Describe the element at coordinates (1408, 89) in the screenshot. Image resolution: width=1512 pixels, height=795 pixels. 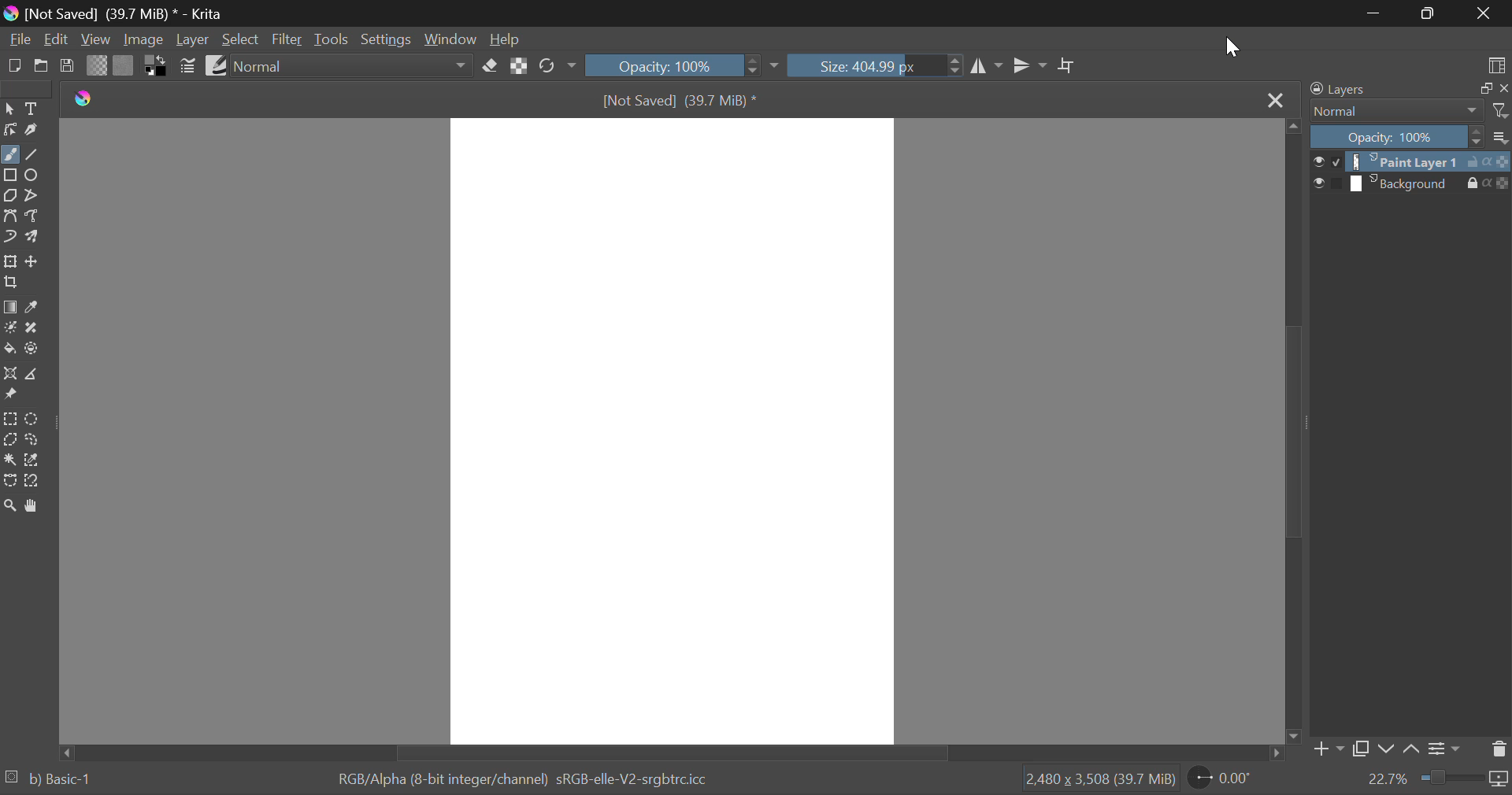
I see `Layers Docker Tab` at that location.